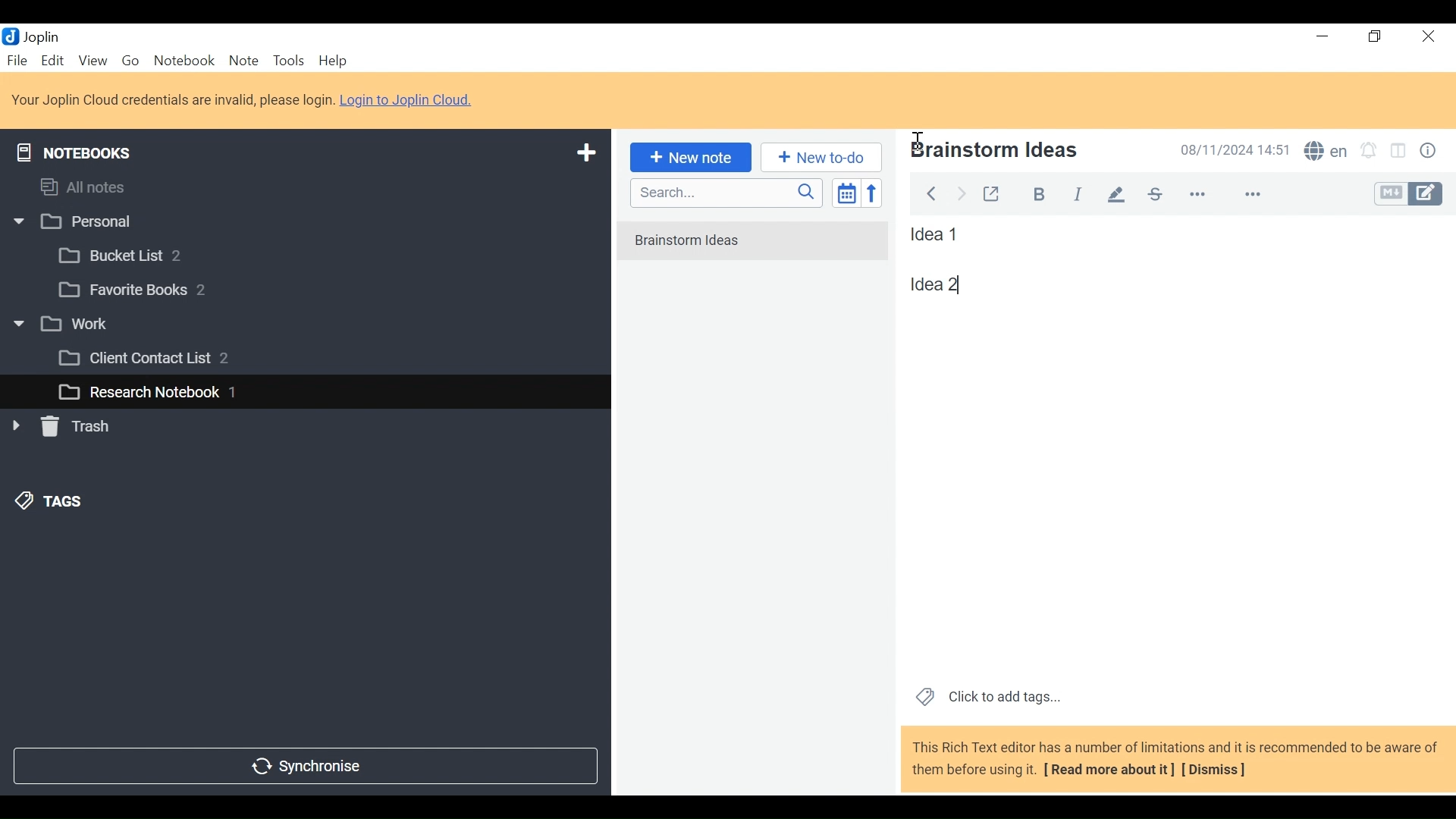 The height and width of the screenshot is (819, 1456). What do you see at coordinates (335, 61) in the screenshot?
I see `Help` at bounding box center [335, 61].